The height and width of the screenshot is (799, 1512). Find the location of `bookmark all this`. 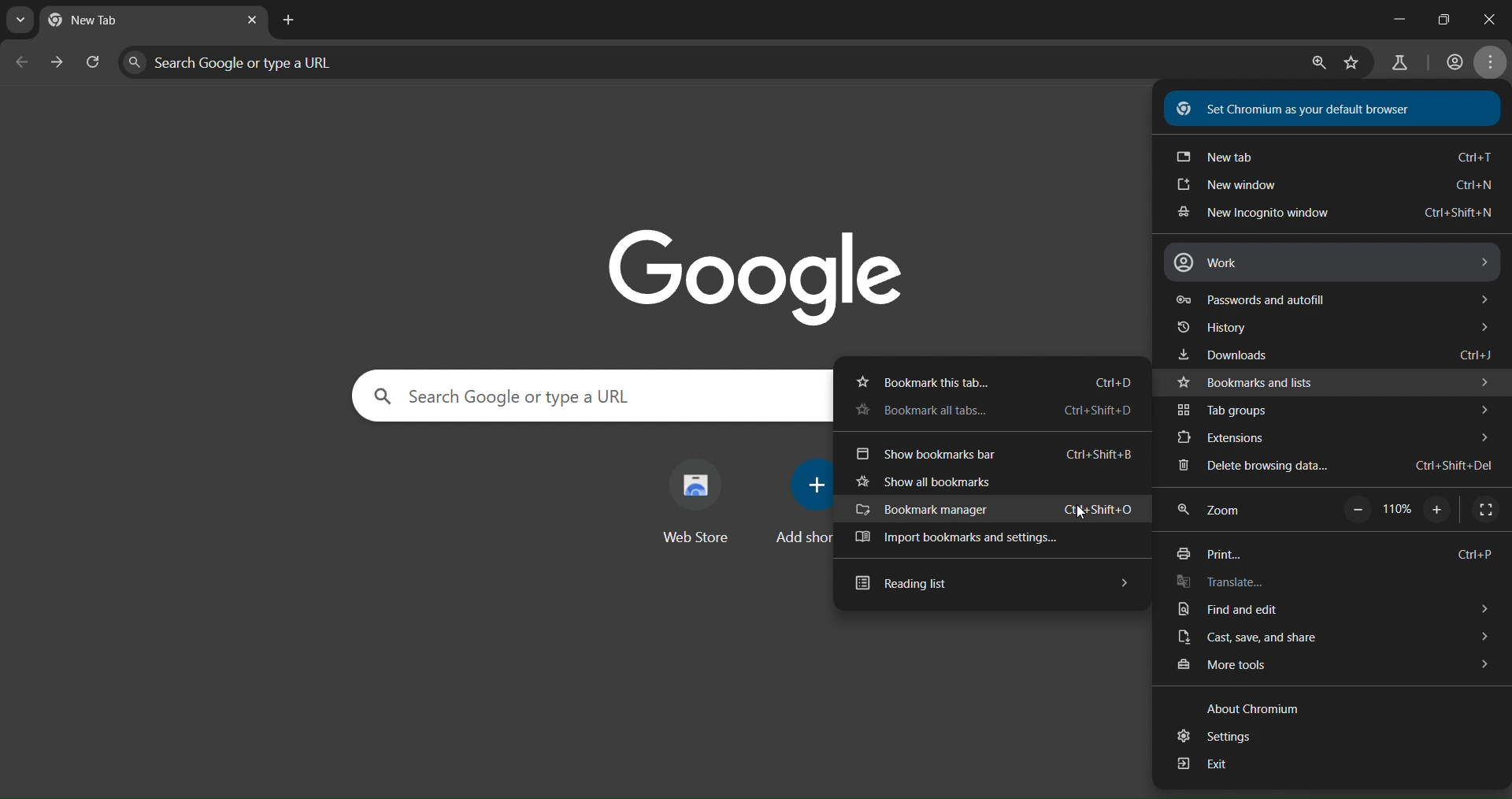

bookmark all this is located at coordinates (995, 411).